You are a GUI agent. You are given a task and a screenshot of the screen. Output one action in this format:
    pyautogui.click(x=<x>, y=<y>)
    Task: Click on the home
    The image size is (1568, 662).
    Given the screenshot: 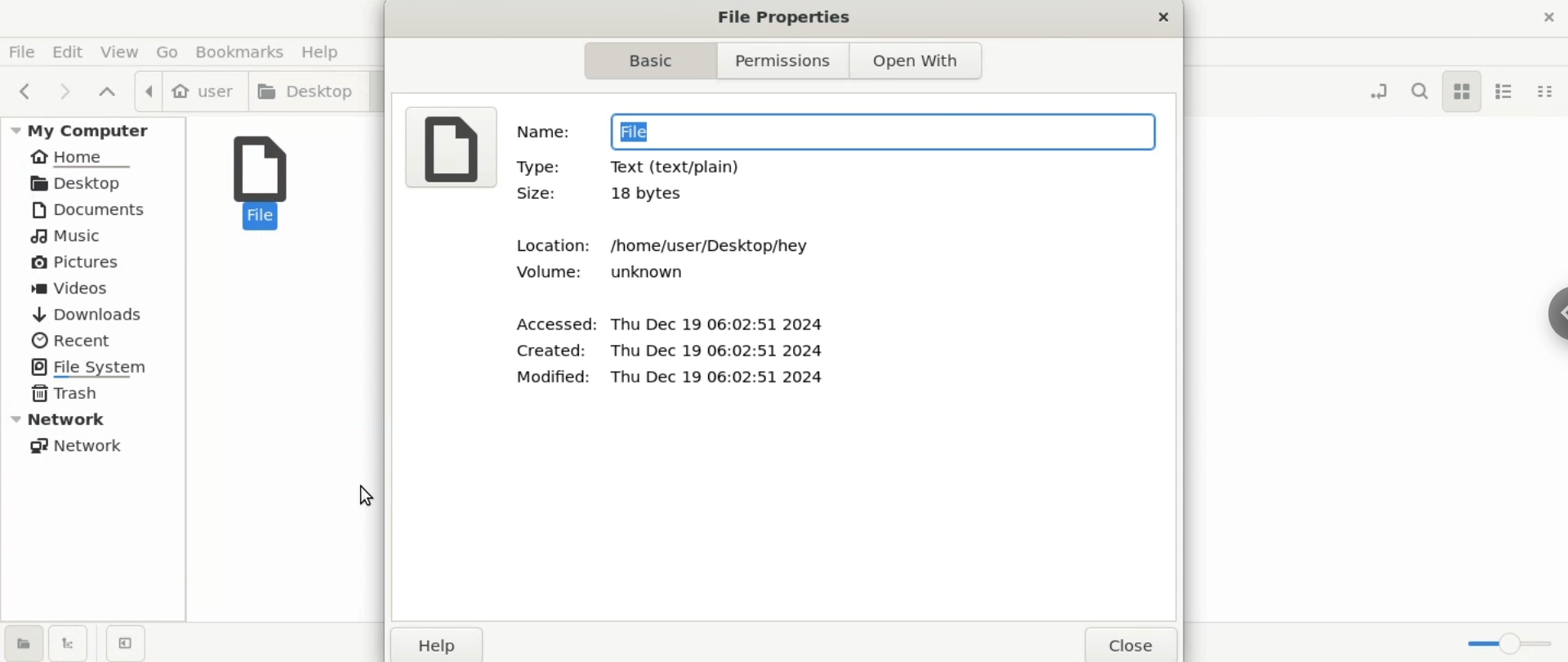 What is the action you would take?
    pyautogui.click(x=94, y=157)
    